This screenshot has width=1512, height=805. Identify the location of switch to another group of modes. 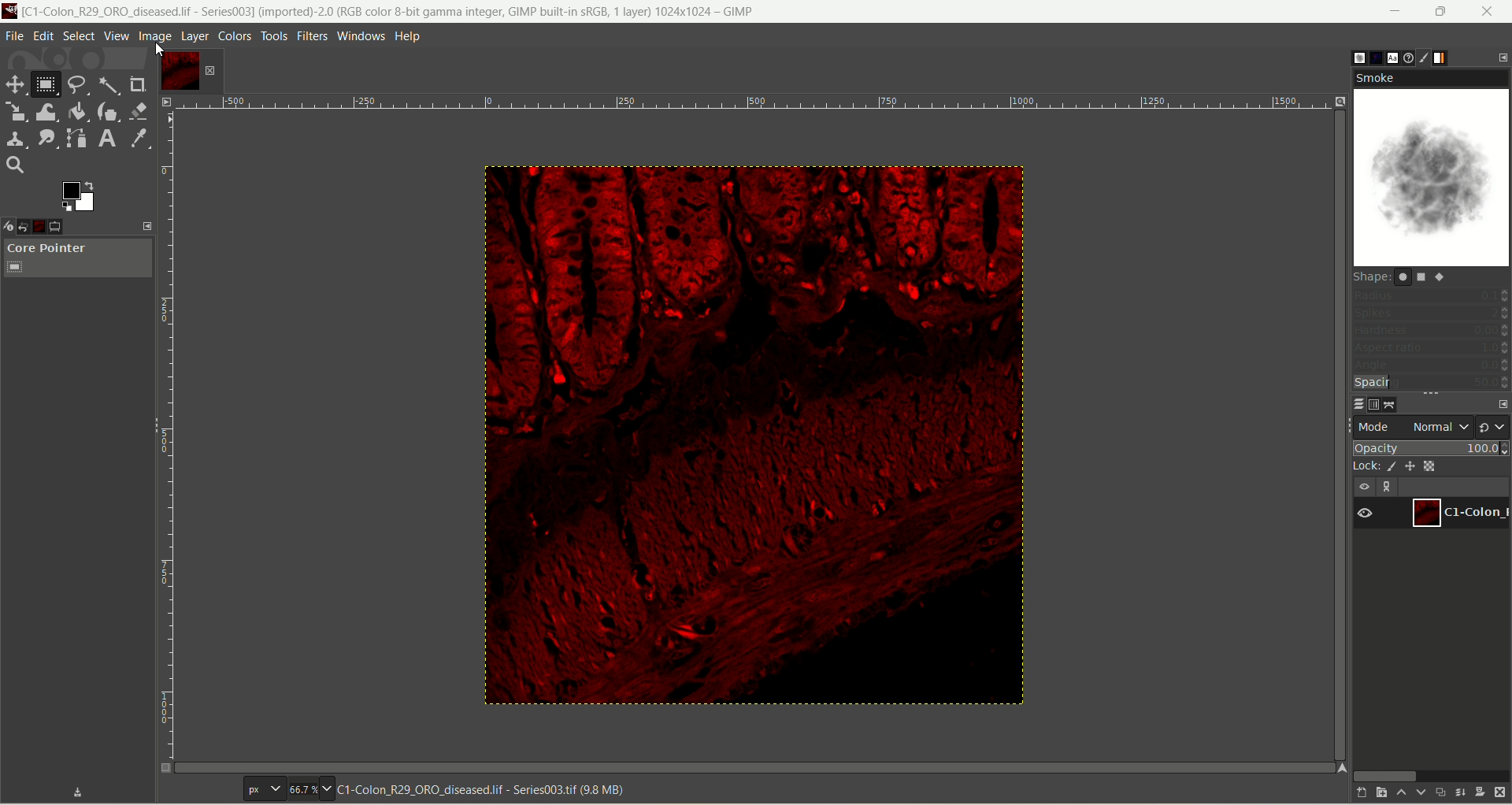
(1493, 426).